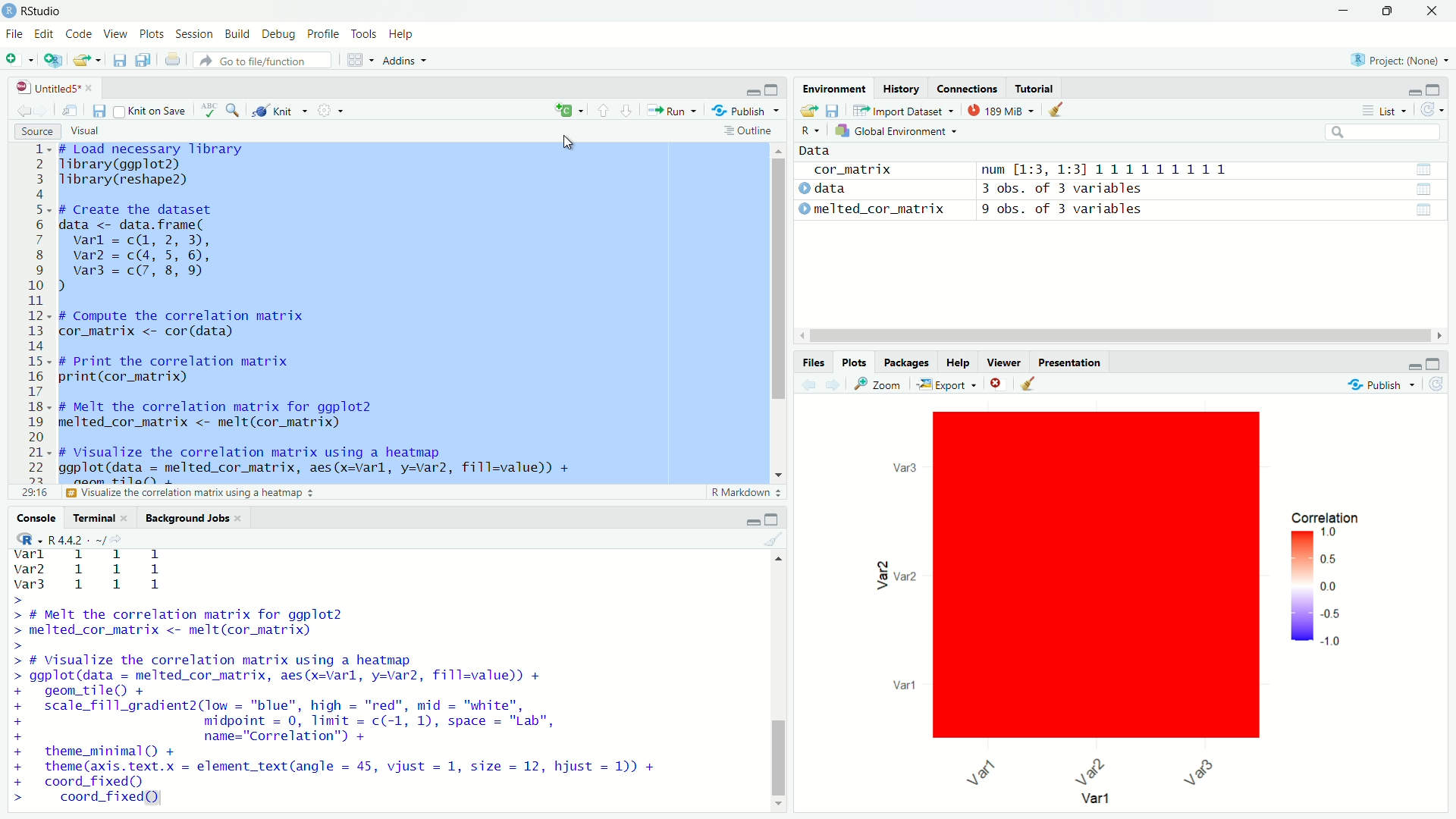 The width and height of the screenshot is (1456, 819). I want to click on background jobs, so click(194, 518).